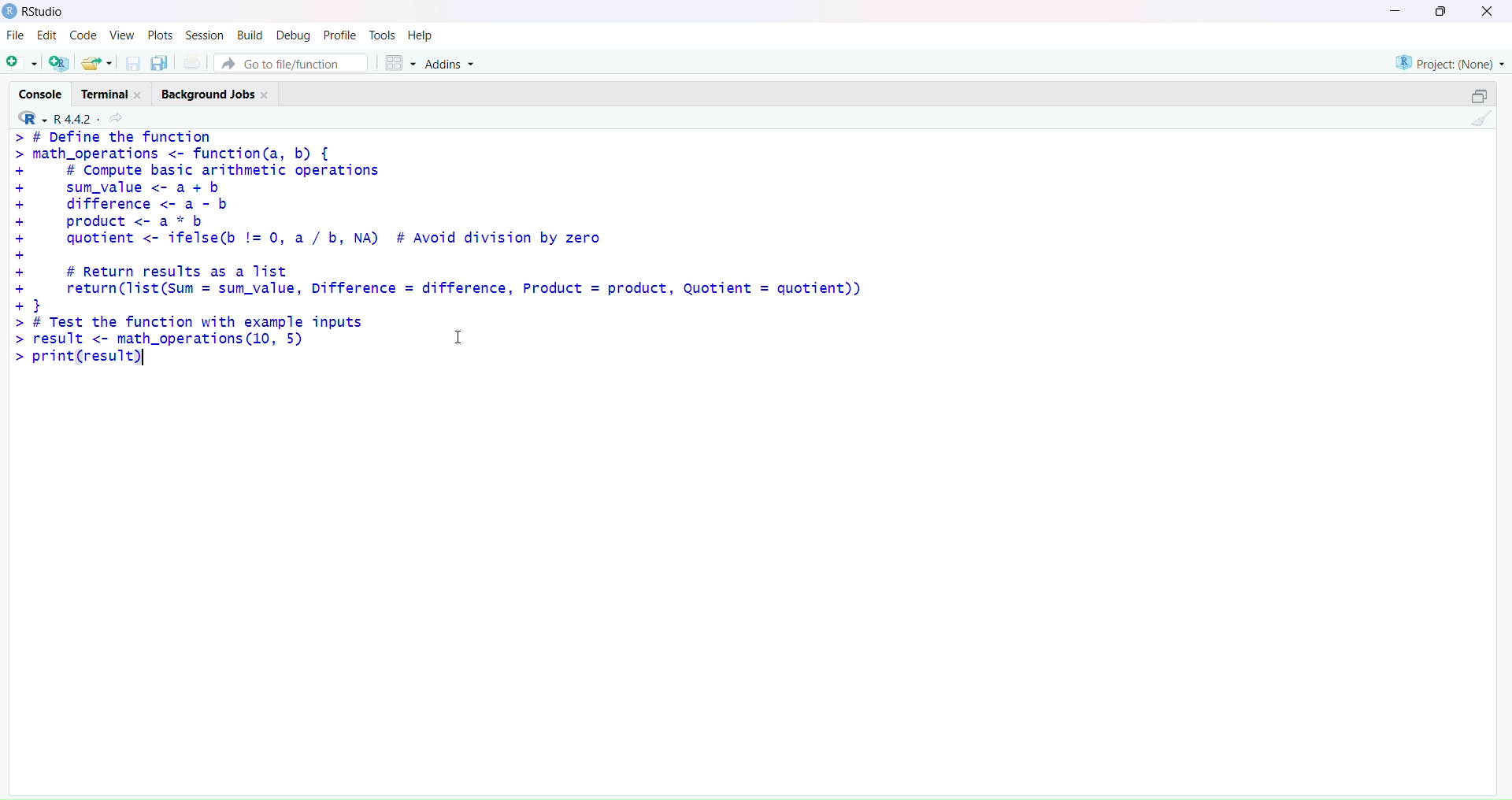 This screenshot has height=800, width=1512. I want to click on Console, so click(40, 94).